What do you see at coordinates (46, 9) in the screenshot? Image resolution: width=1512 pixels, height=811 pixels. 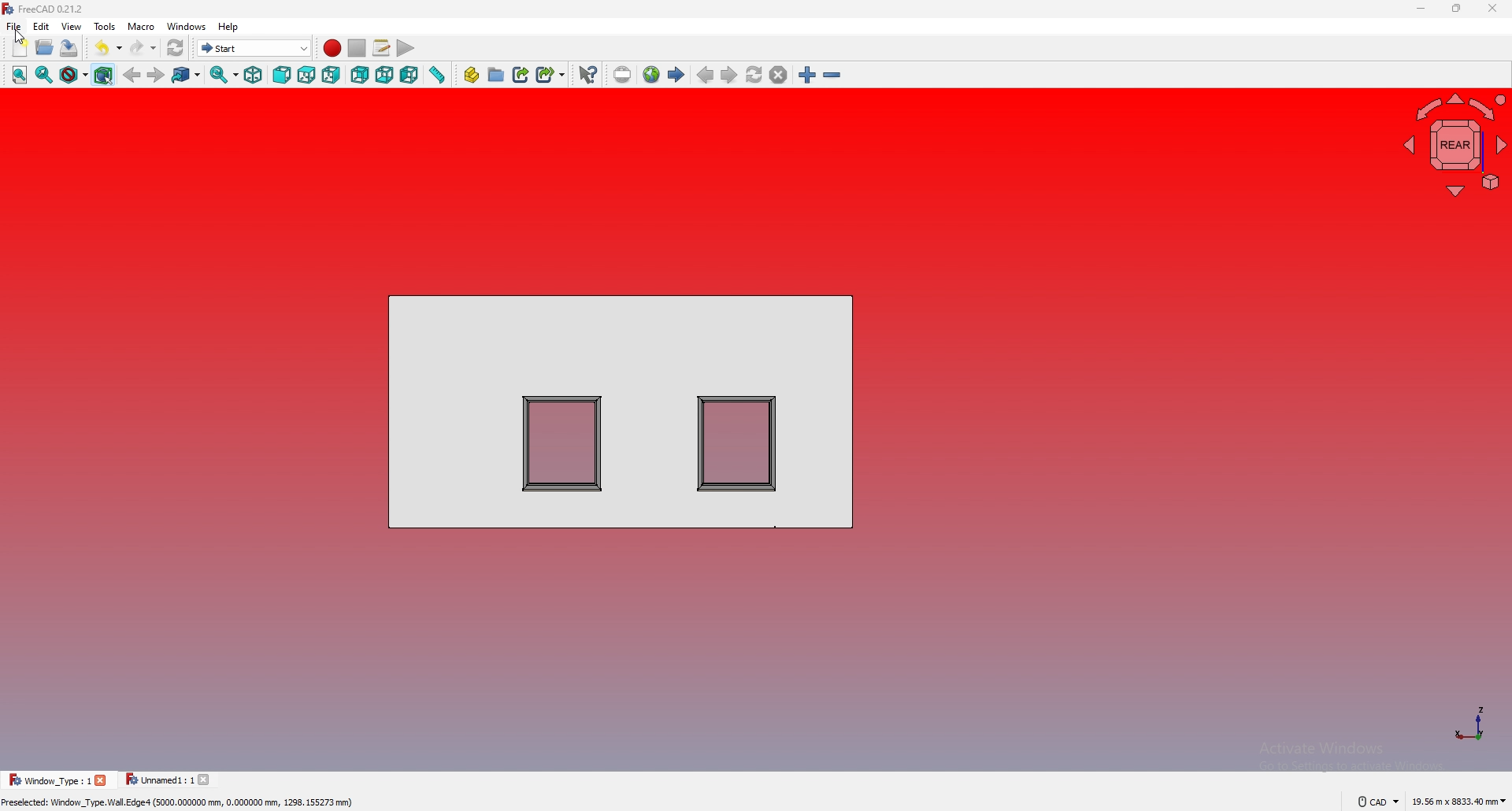 I see `FreeCAD 0.21.2` at bounding box center [46, 9].